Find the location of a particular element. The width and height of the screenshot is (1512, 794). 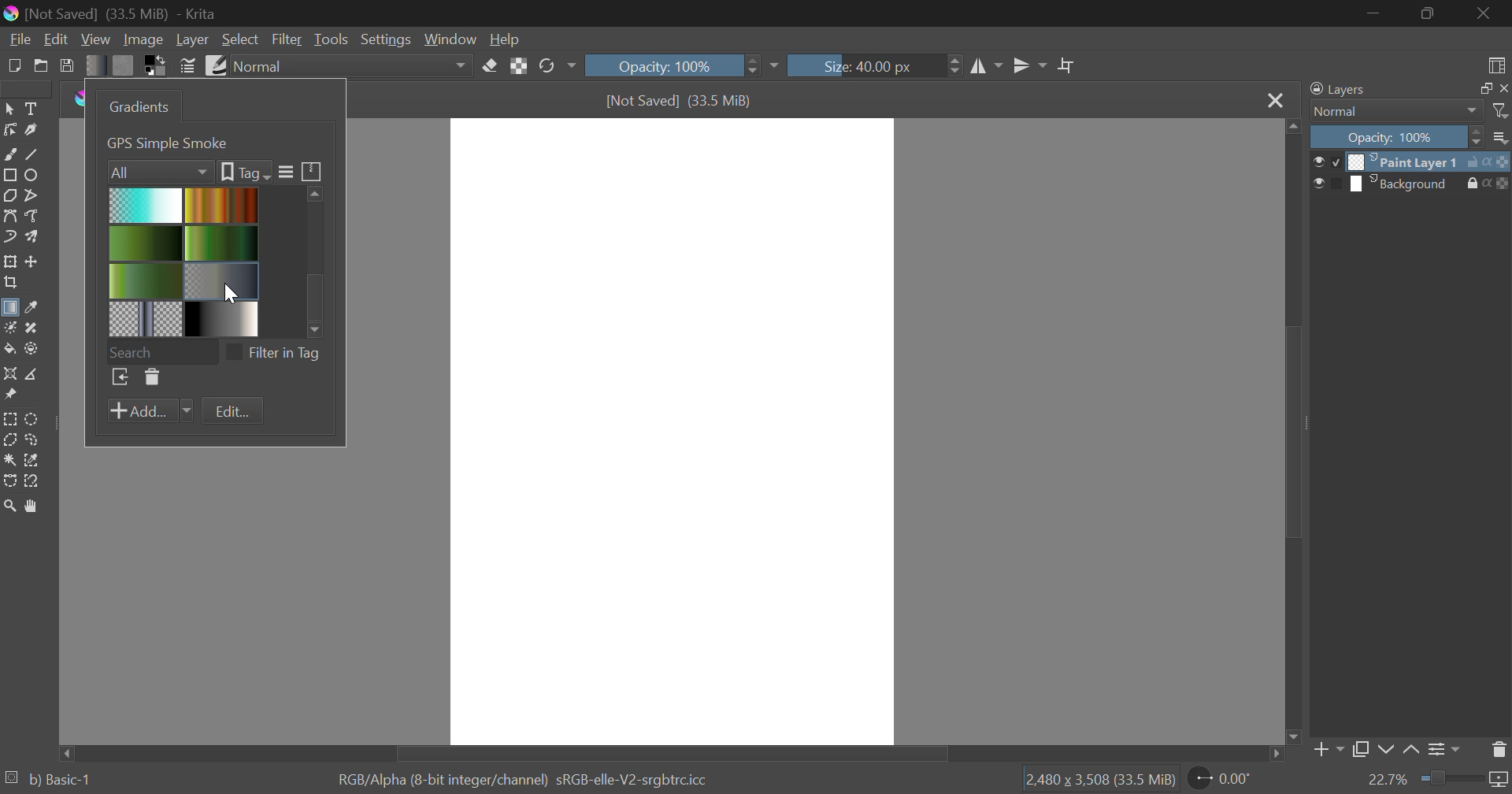

Copy Layer is located at coordinates (1361, 752).